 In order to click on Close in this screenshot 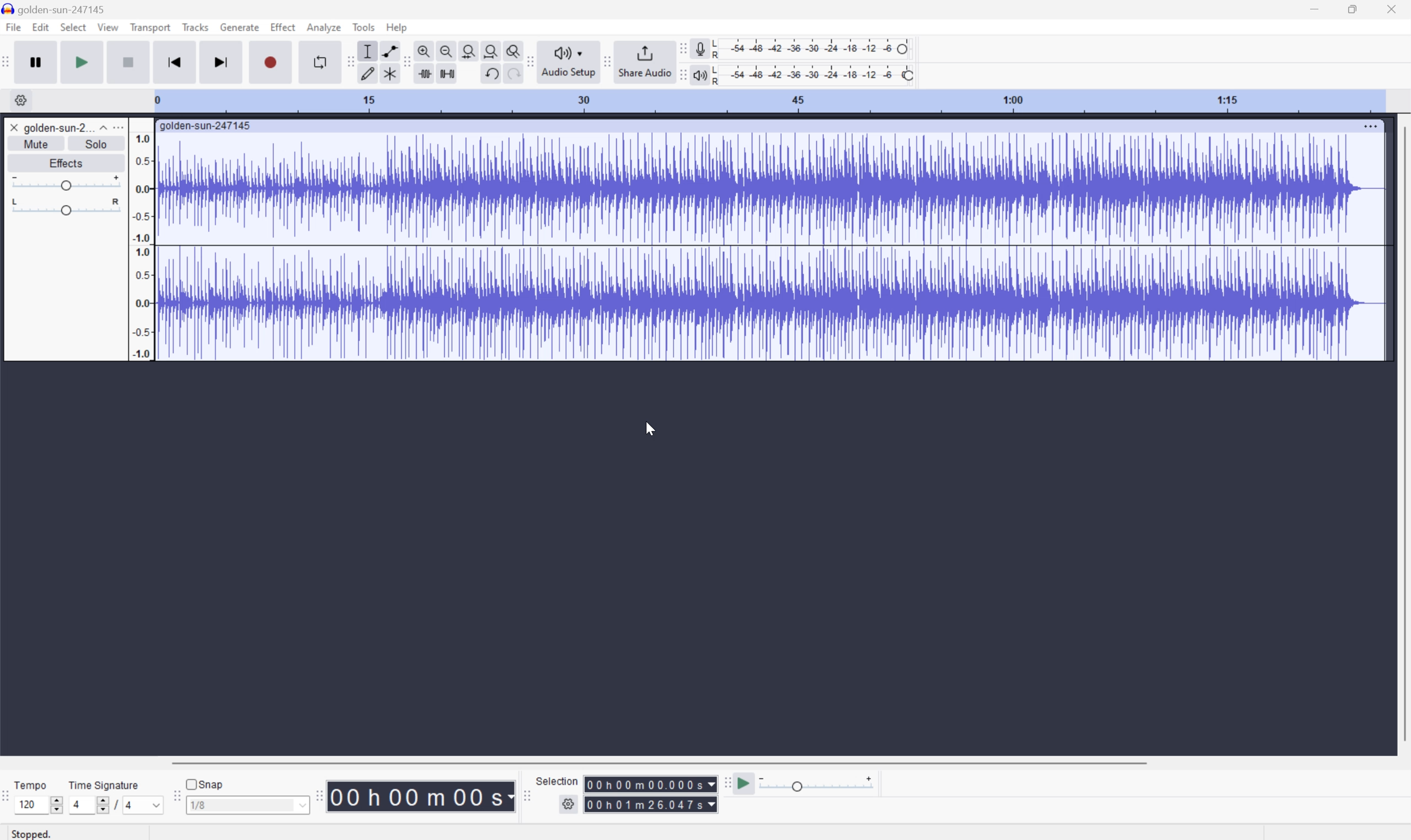, I will do `click(1392, 8)`.